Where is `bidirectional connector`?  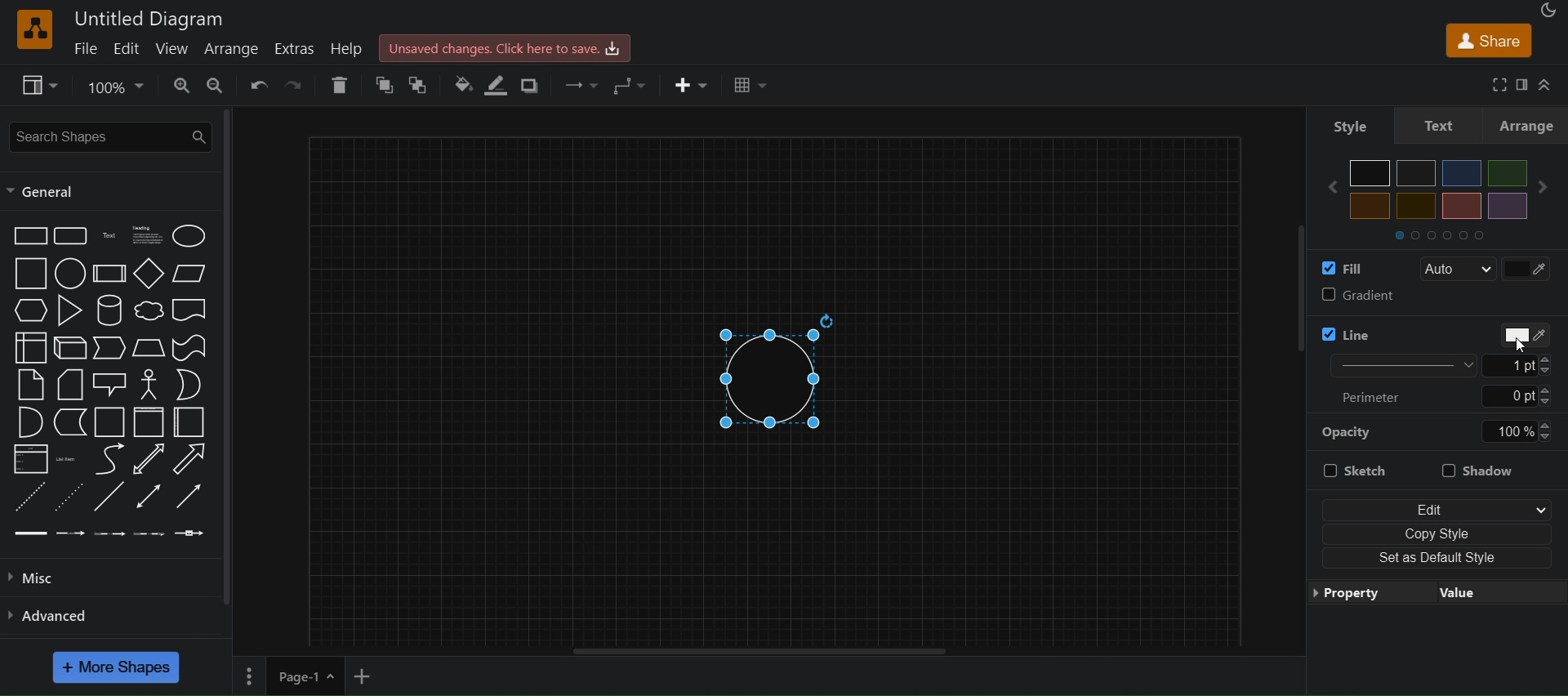 bidirectional connector is located at coordinates (151, 496).